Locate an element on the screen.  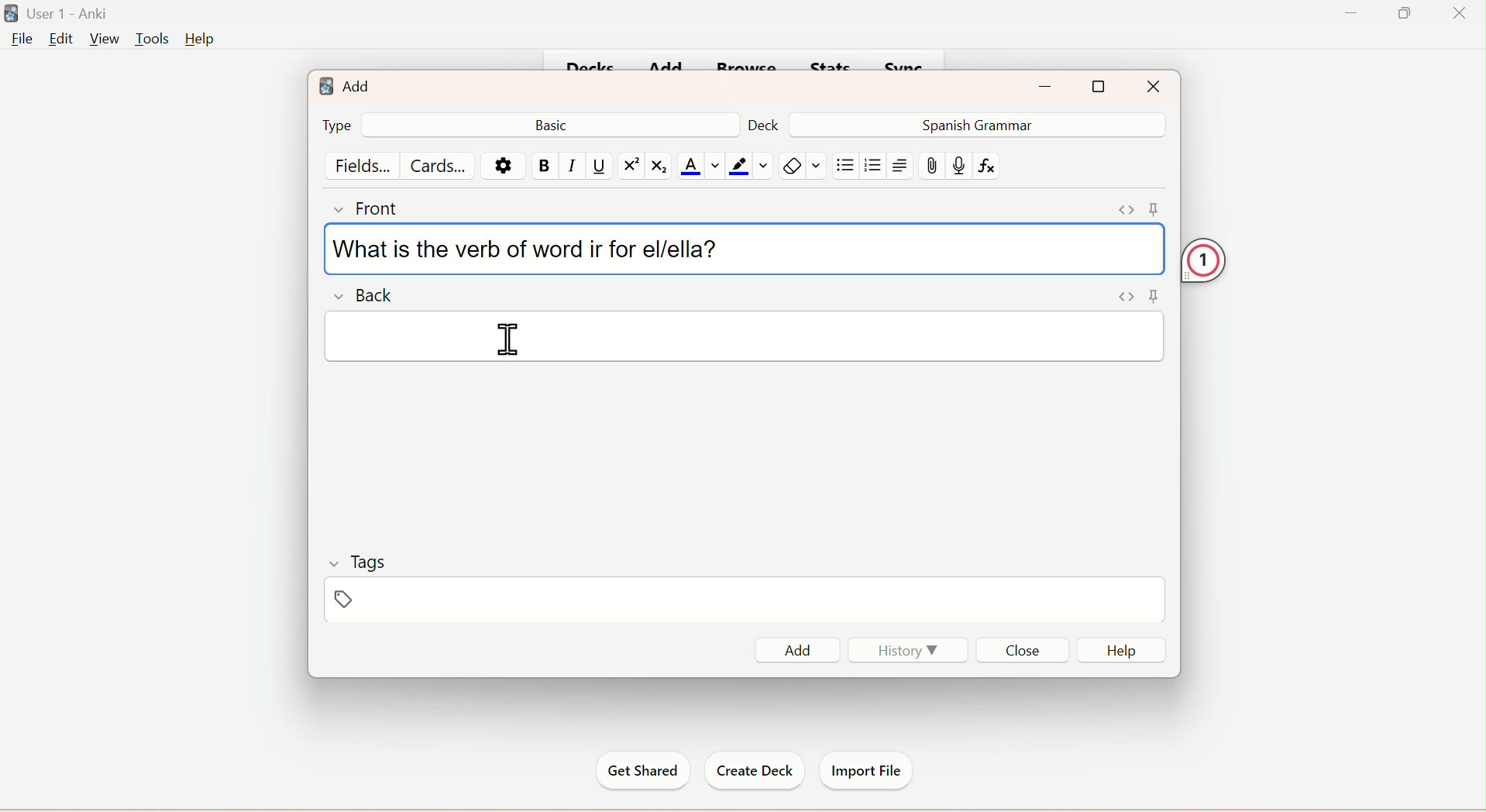
Rubber is located at coordinates (805, 167).